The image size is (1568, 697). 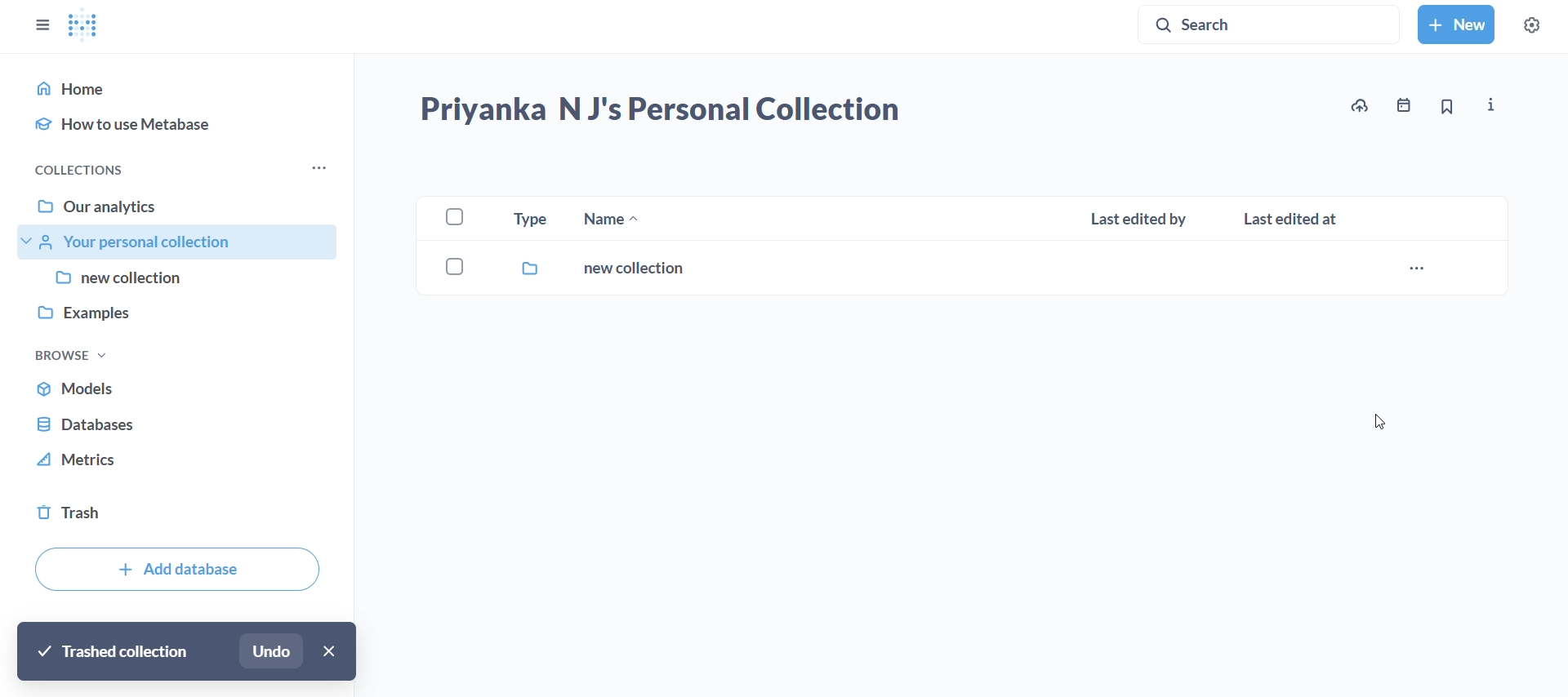 I want to click on collections, so click(x=100, y=171).